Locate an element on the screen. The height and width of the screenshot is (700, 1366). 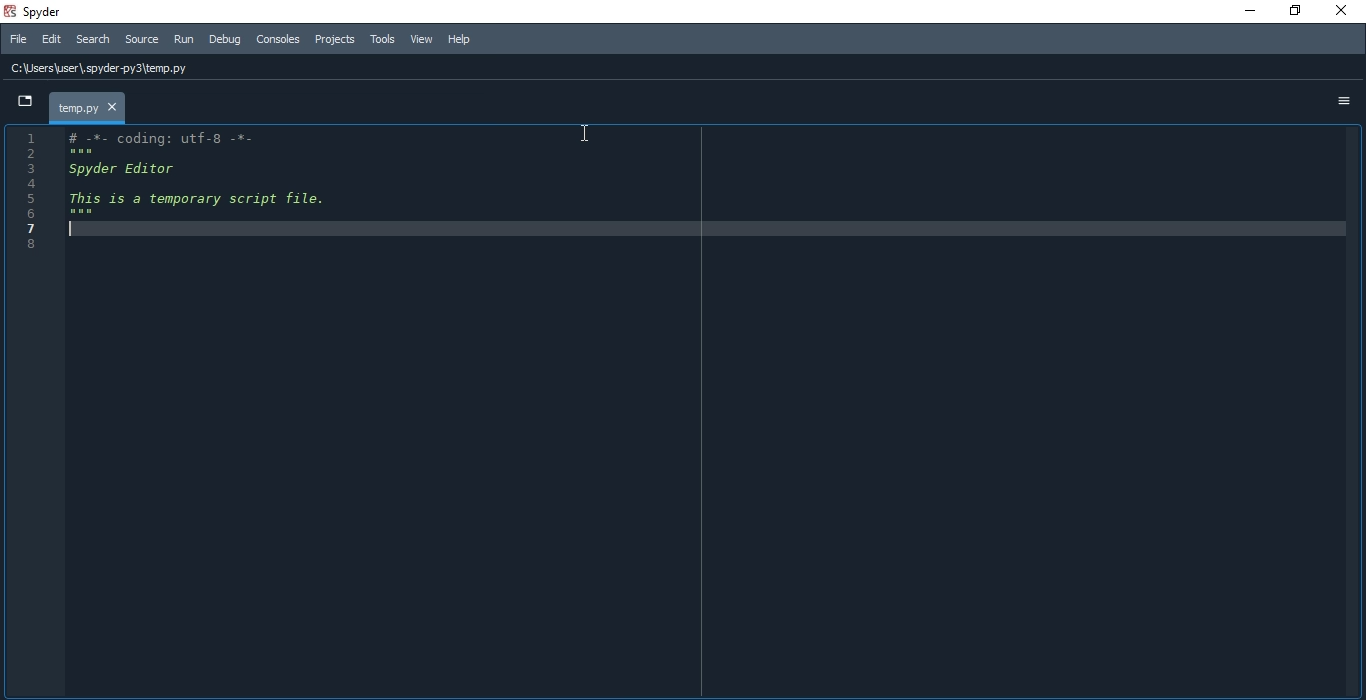
Help is located at coordinates (464, 40).